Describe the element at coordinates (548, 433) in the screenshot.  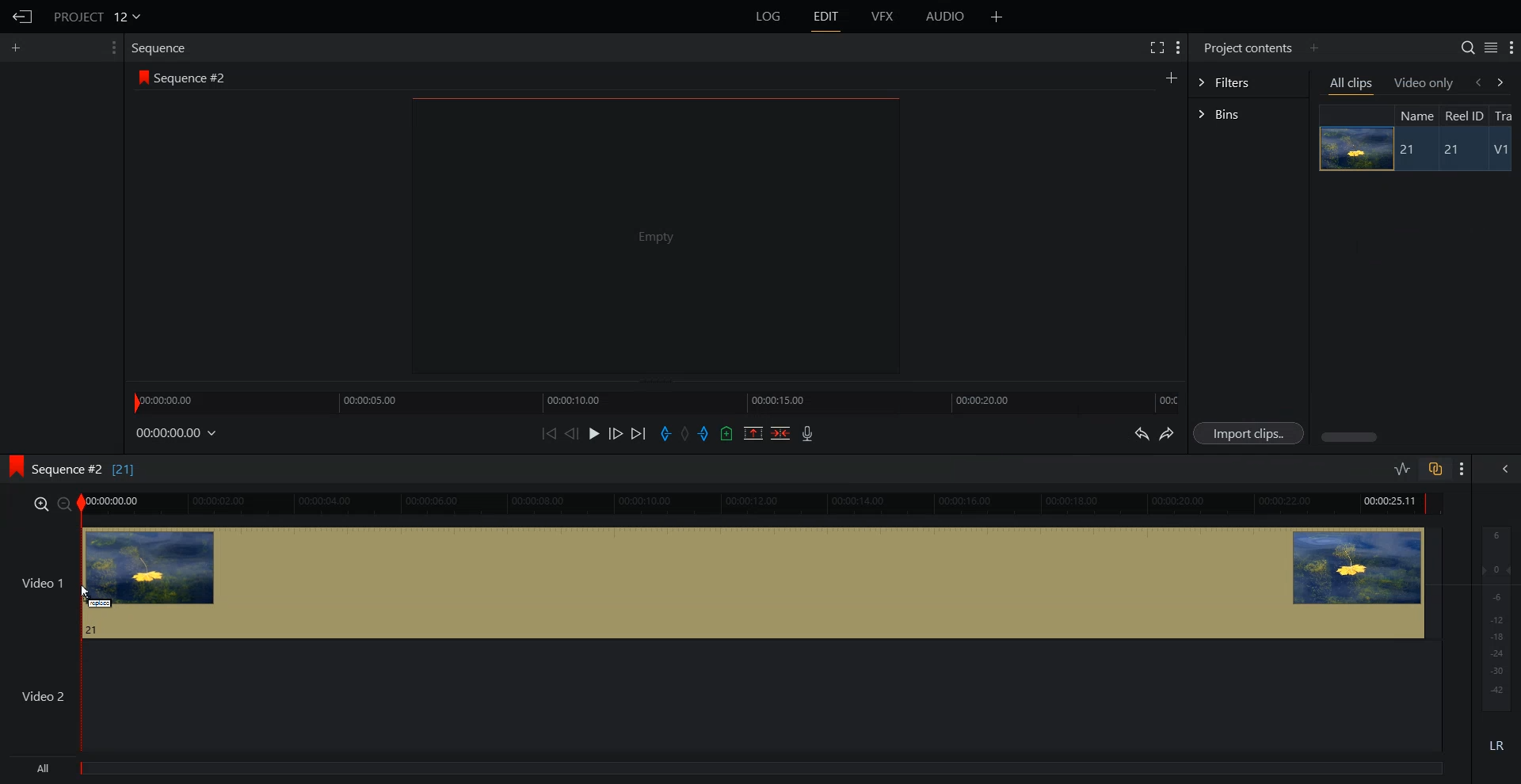
I see `Move Backward` at that location.